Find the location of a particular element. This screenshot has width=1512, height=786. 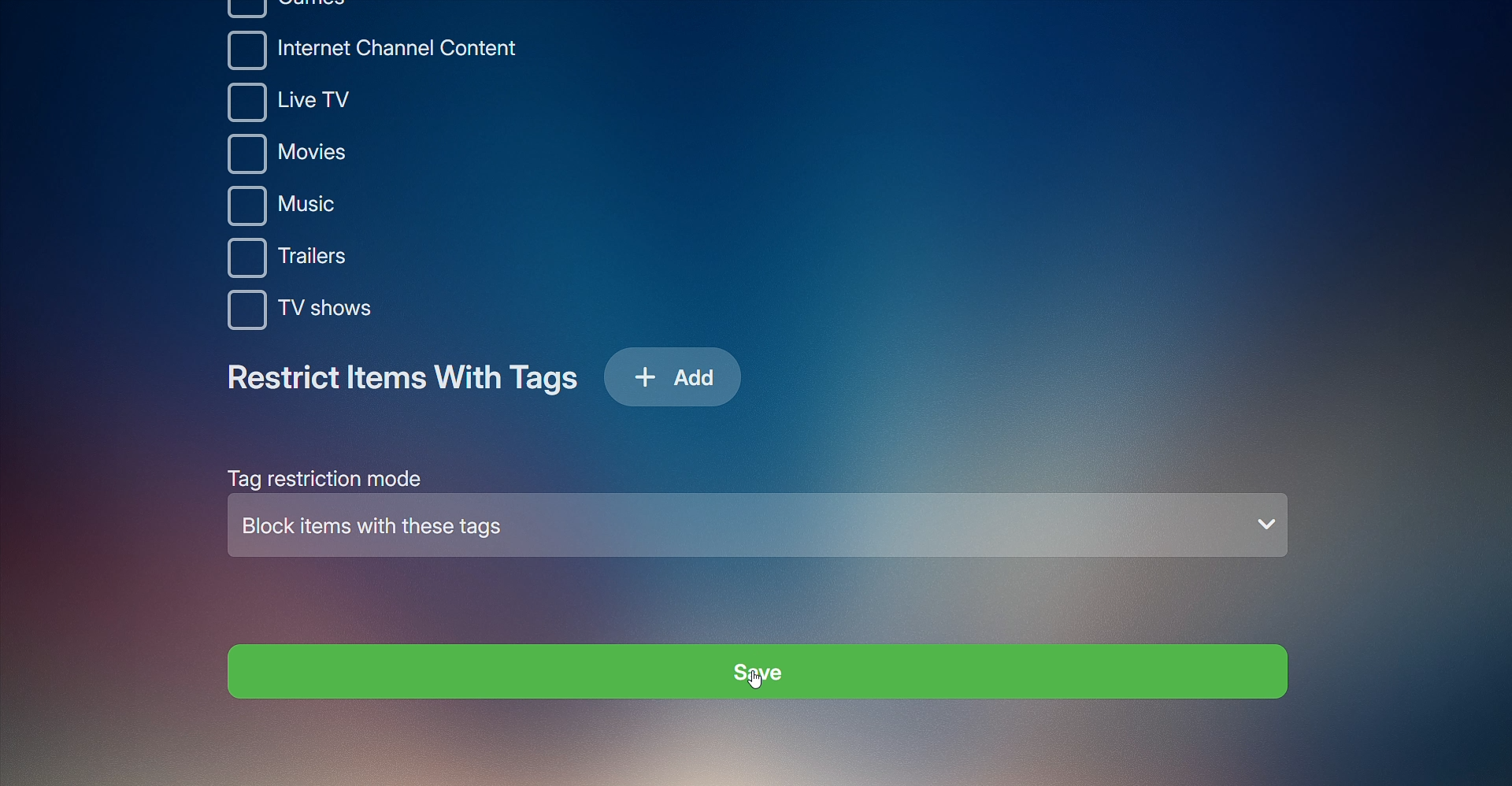

Tag Restriction Mode is located at coordinates (317, 476).